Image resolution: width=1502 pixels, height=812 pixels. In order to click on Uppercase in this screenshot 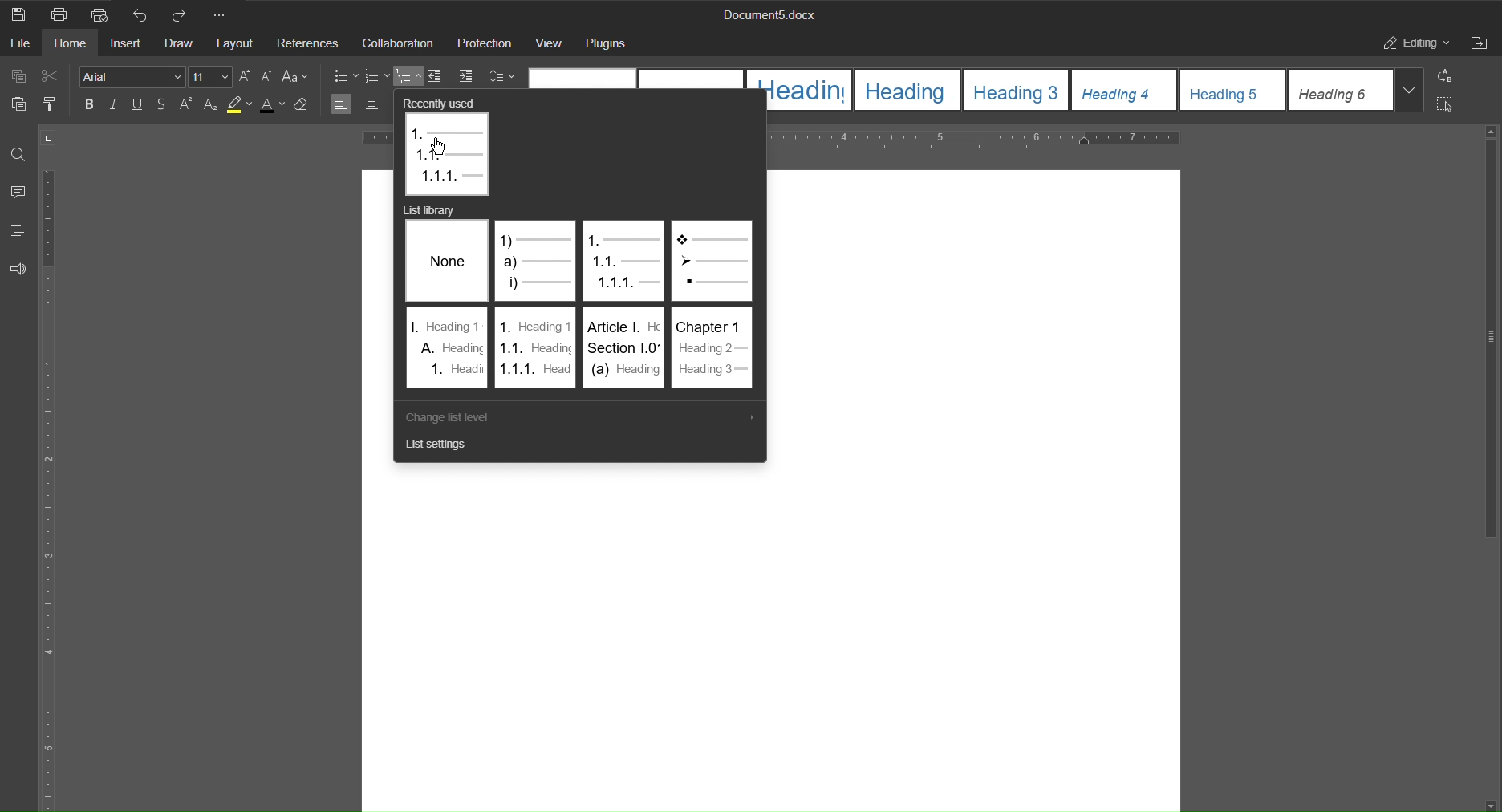, I will do `click(246, 76)`.